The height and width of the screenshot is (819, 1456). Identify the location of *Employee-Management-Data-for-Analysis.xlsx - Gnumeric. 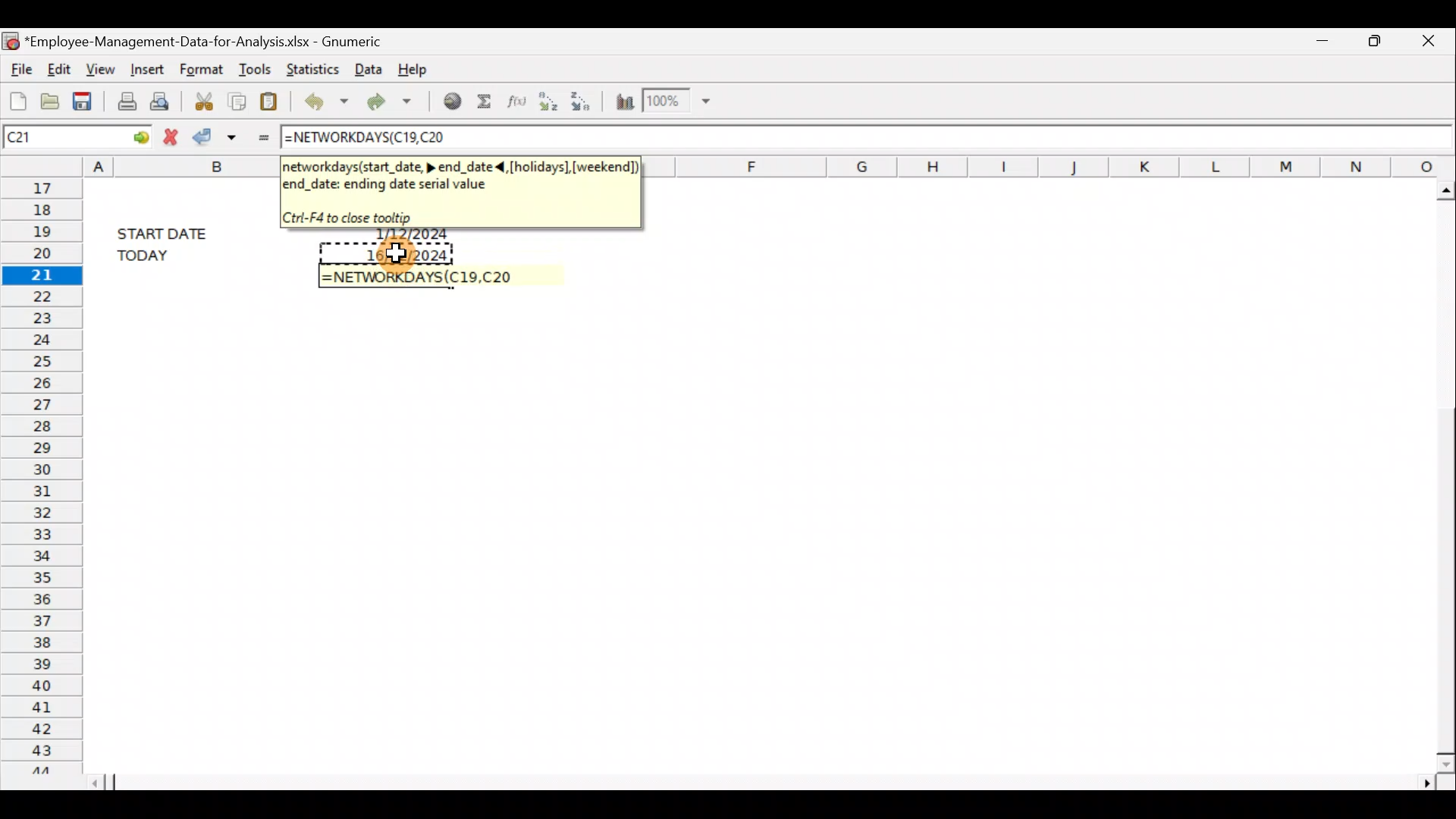
(206, 42).